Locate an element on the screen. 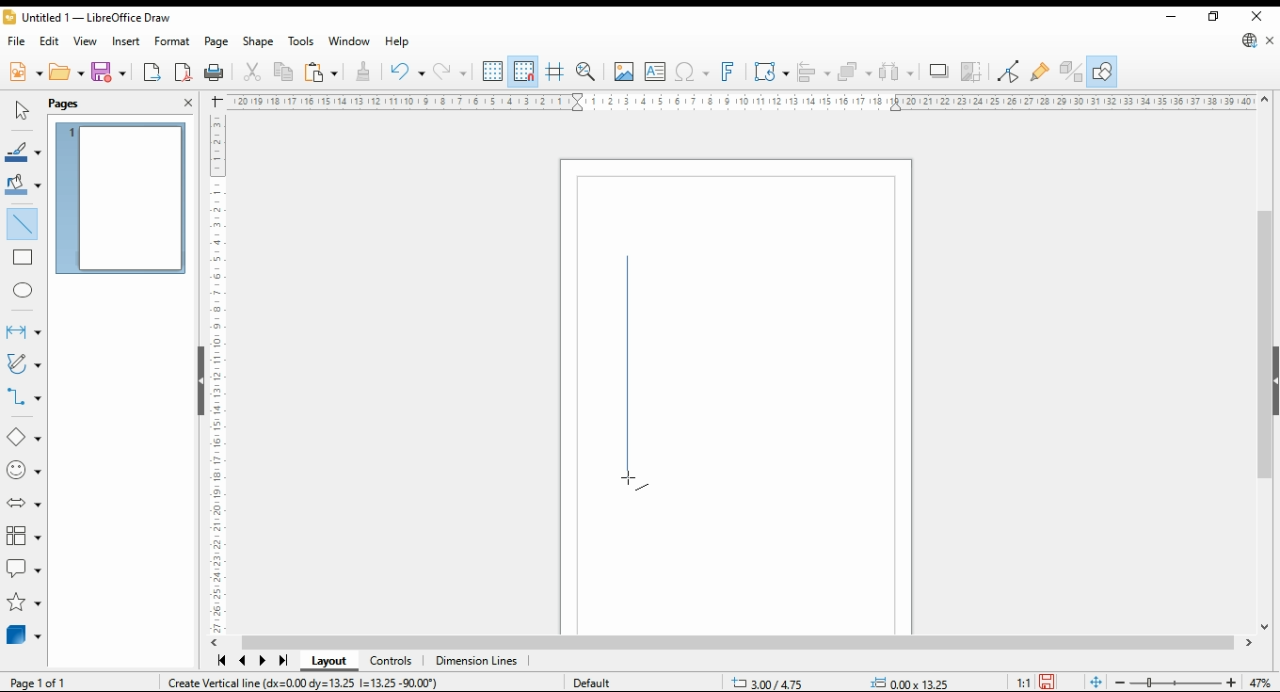 The width and height of the screenshot is (1280, 692). zoom slider is located at coordinates (1176, 681).